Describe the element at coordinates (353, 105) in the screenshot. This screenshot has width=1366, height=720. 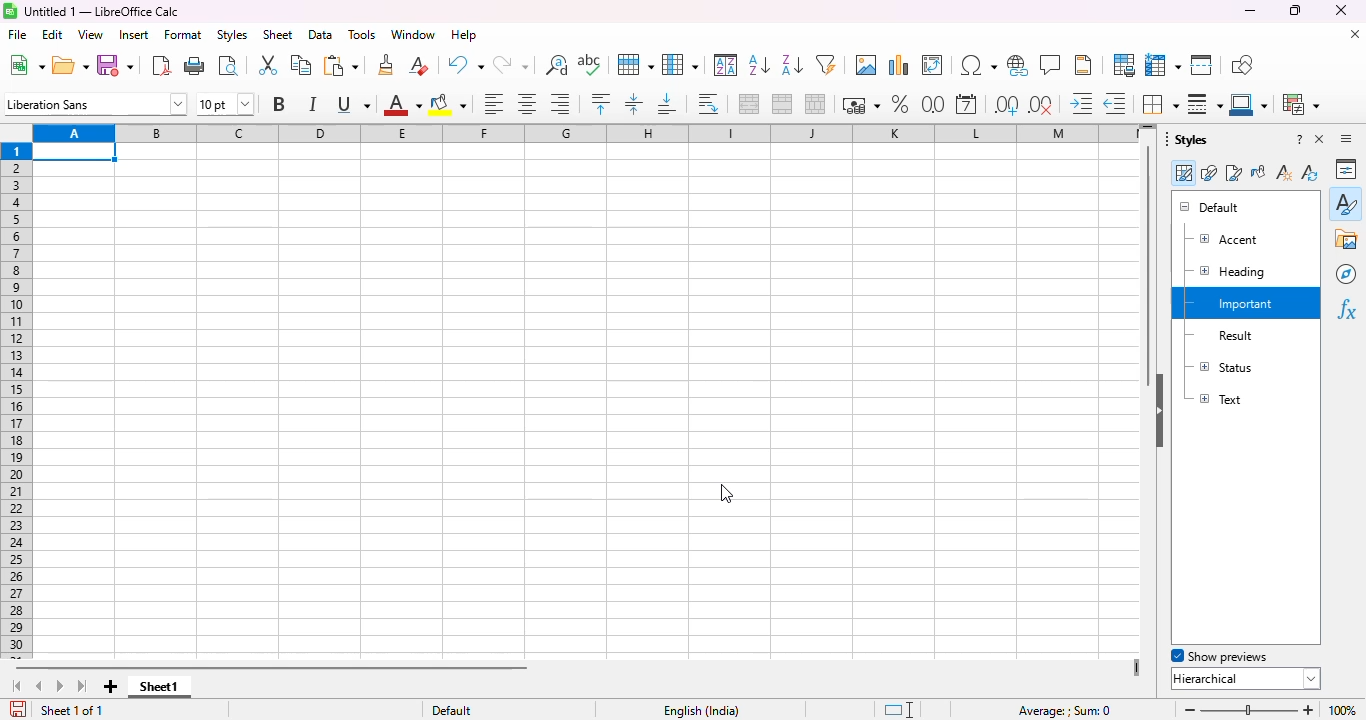
I see `underline` at that location.